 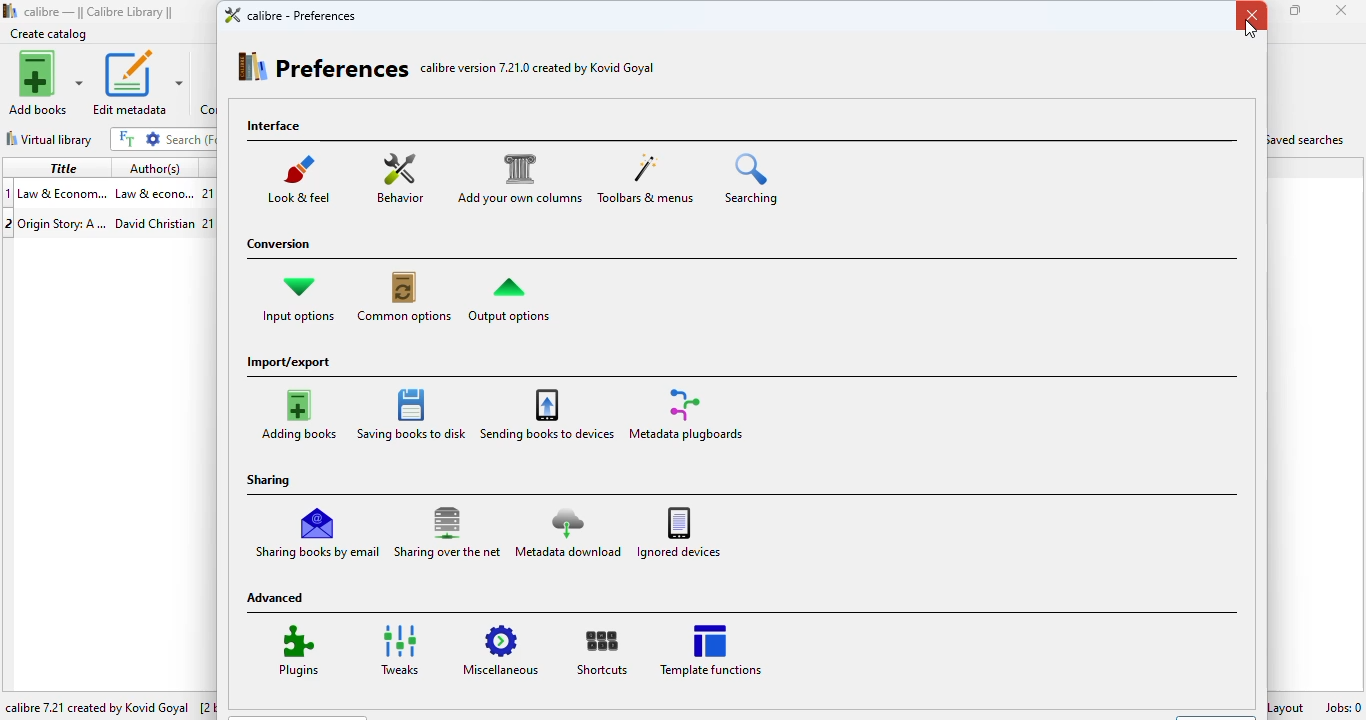 I want to click on metadata plugboards, so click(x=684, y=413).